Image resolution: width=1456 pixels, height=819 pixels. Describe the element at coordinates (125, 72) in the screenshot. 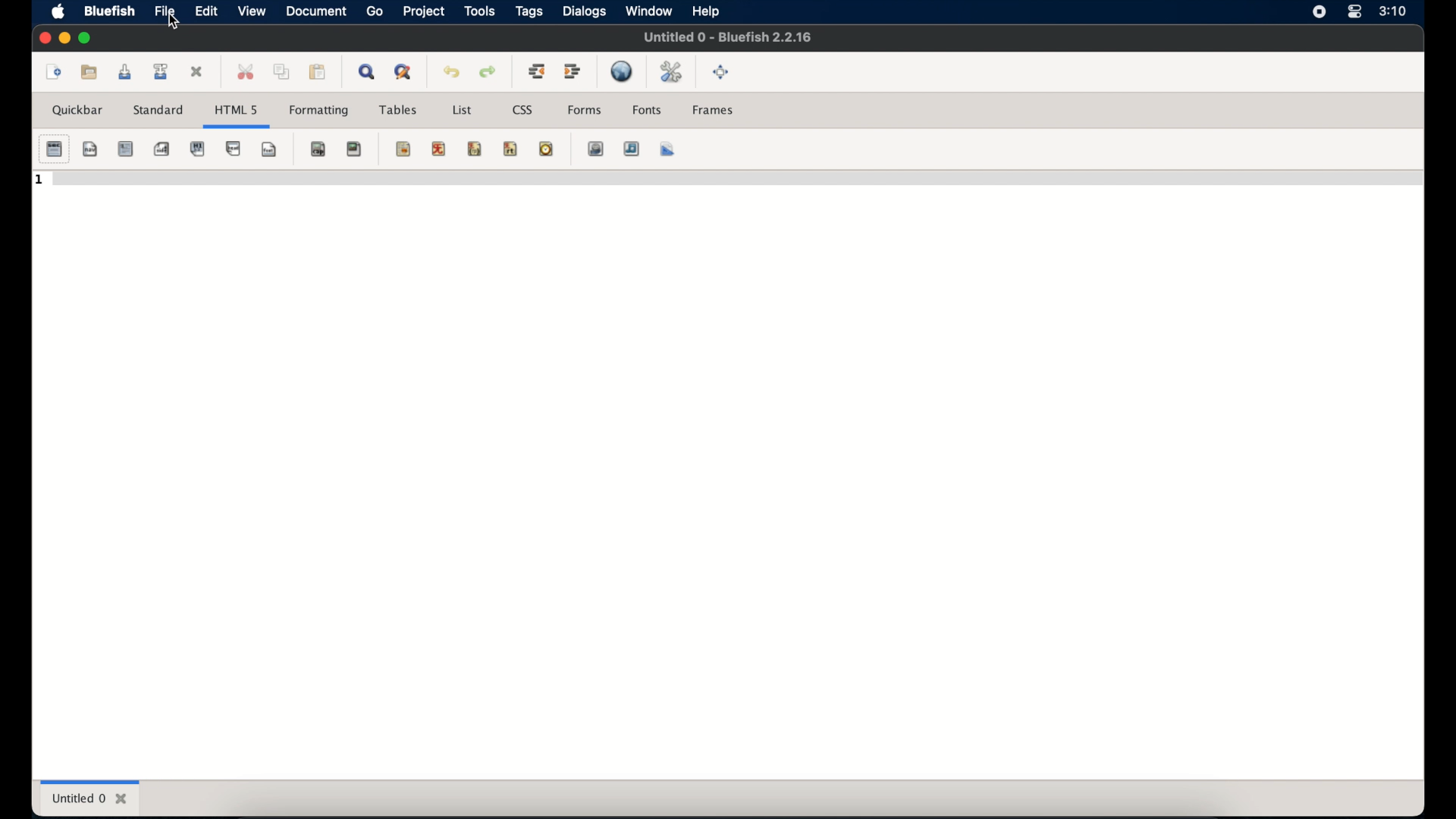

I see `save current file` at that location.